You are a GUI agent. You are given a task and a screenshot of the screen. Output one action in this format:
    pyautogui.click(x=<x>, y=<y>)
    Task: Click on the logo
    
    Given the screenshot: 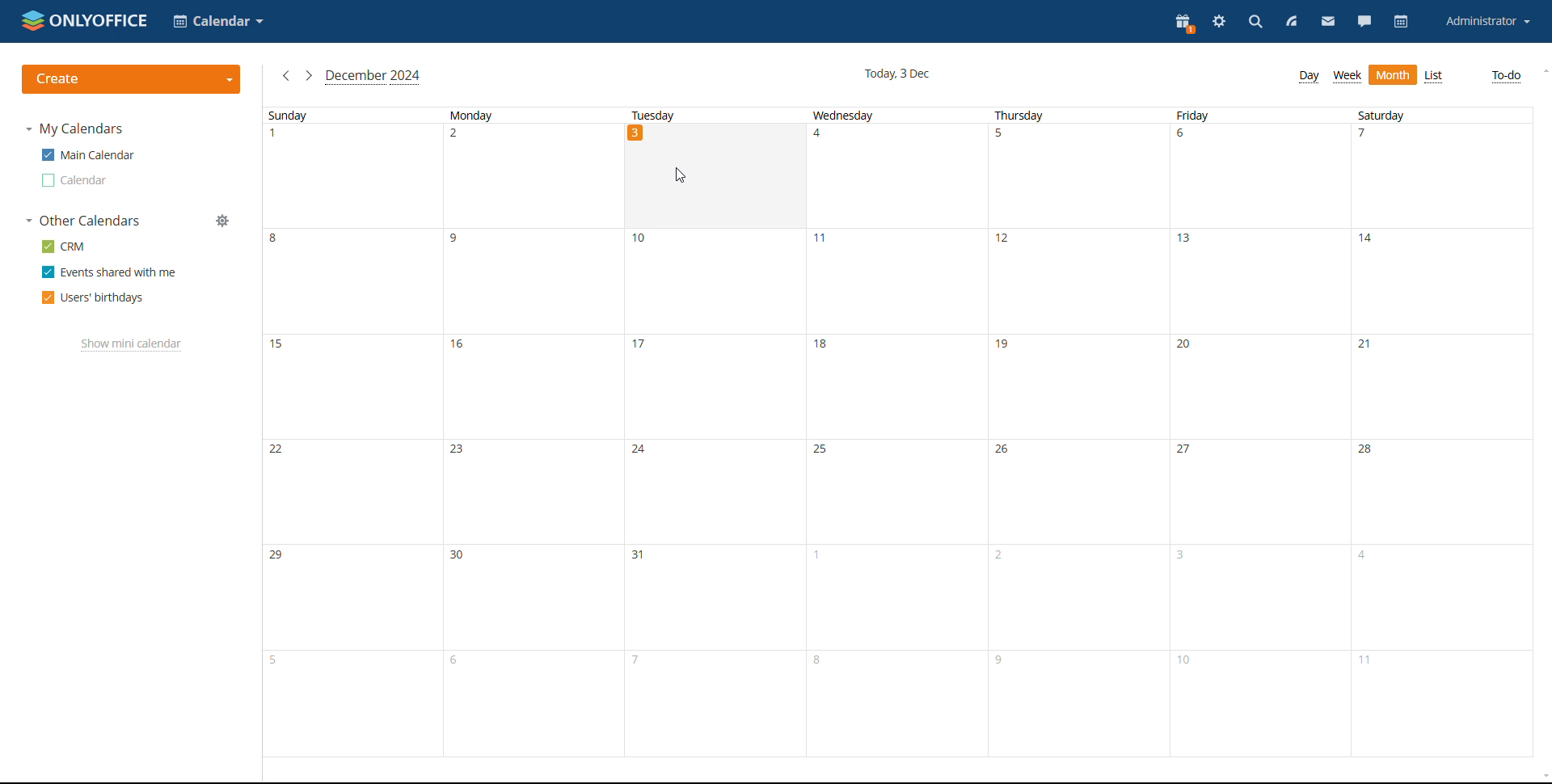 What is the action you would take?
    pyautogui.click(x=85, y=20)
    